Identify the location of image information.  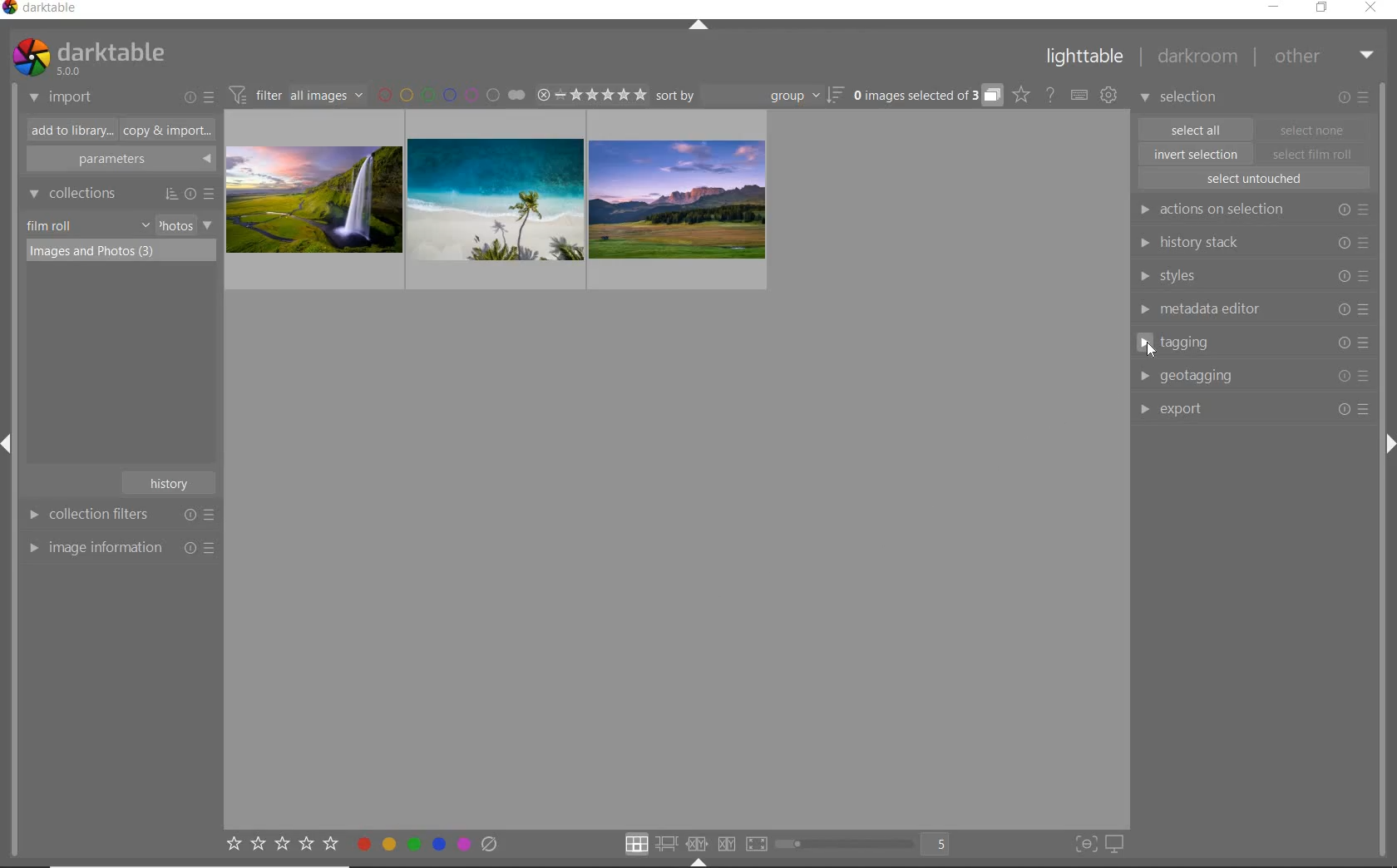
(121, 547).